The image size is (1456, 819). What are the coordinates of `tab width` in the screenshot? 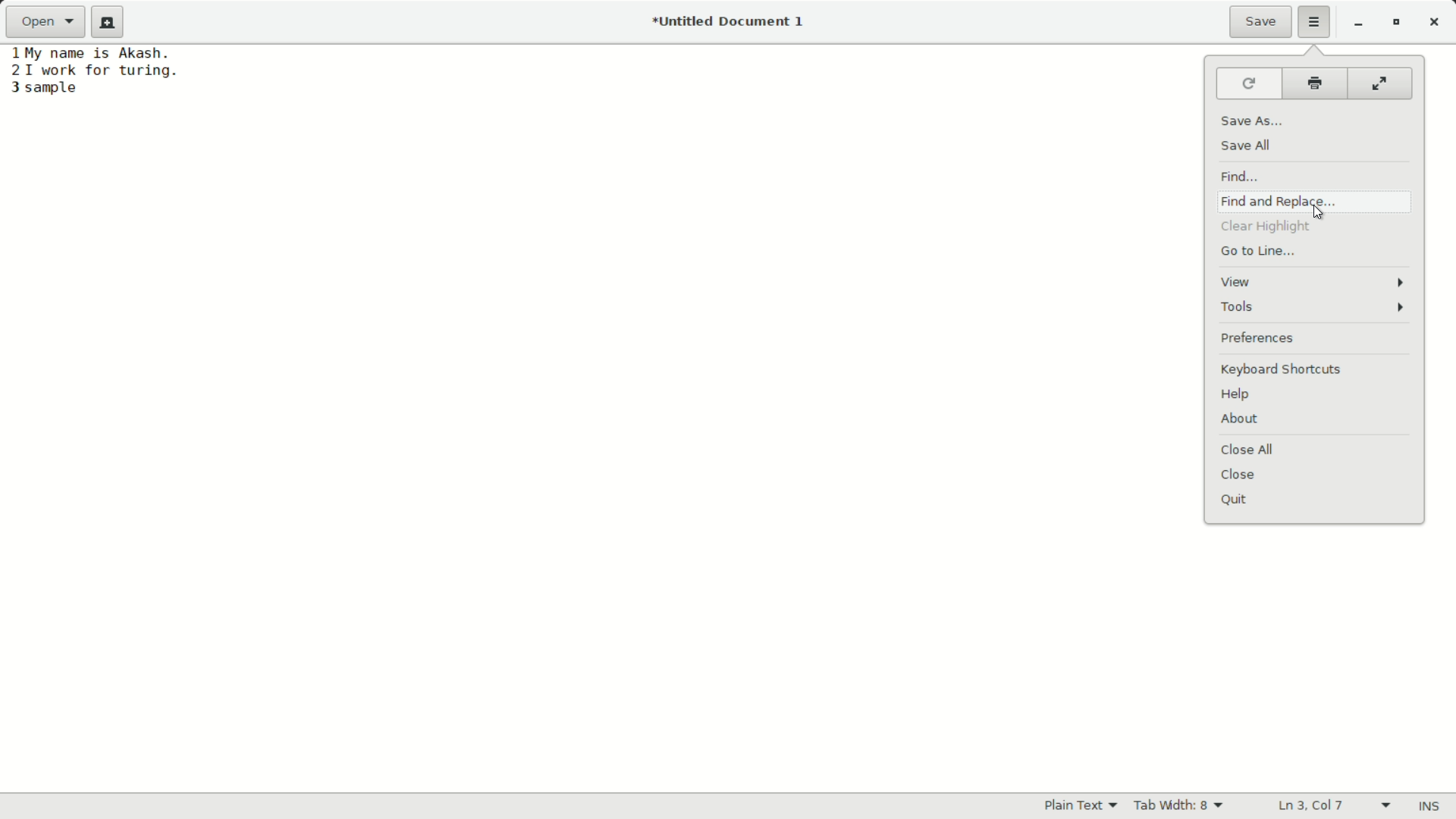 It's located at (1179, 805).